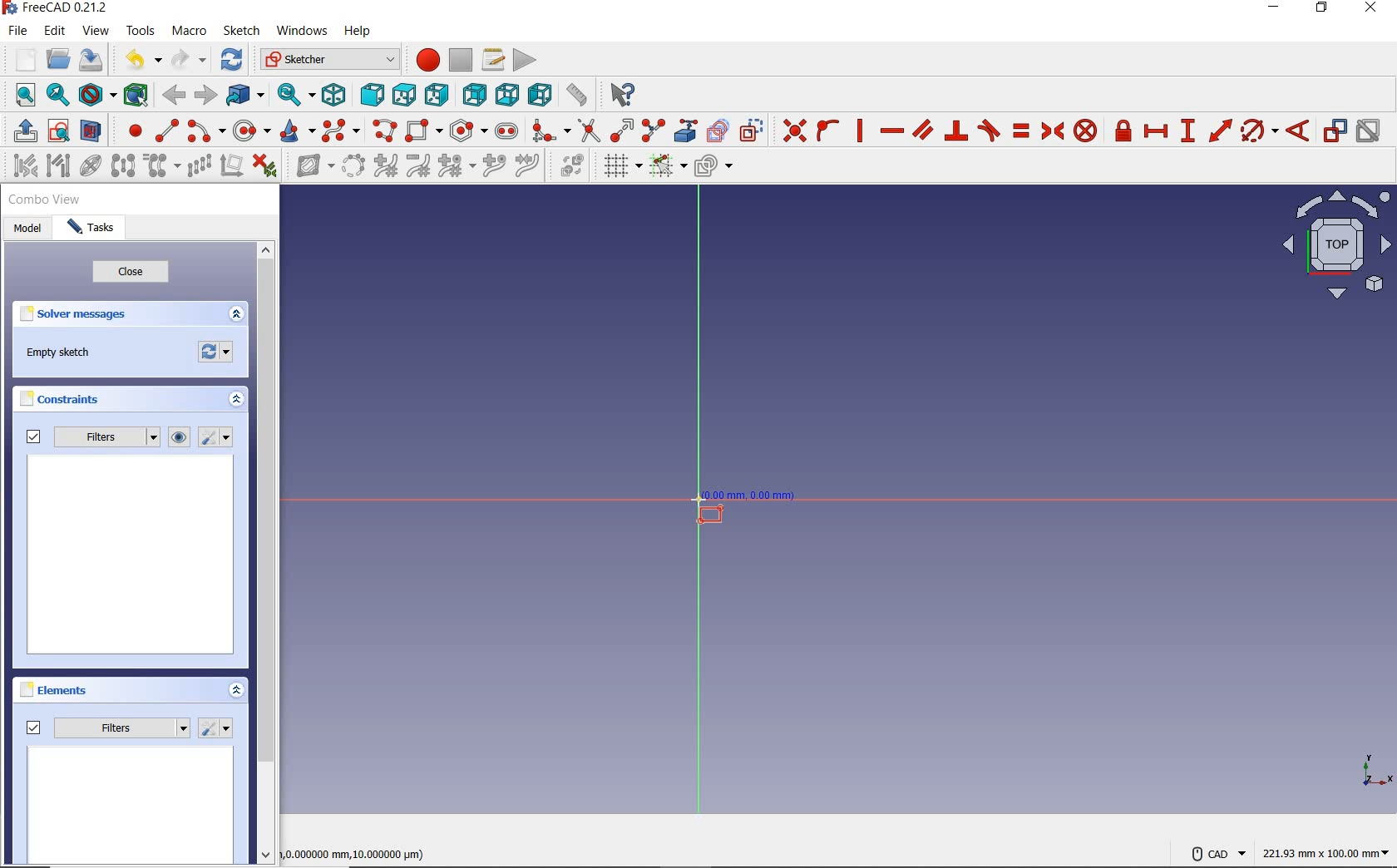 Image resolution: width=1397 pixels, height=868 pixels. Describe the element at coordinates (1219, 131) in the screenshot. I see `constrain distance` at that location.